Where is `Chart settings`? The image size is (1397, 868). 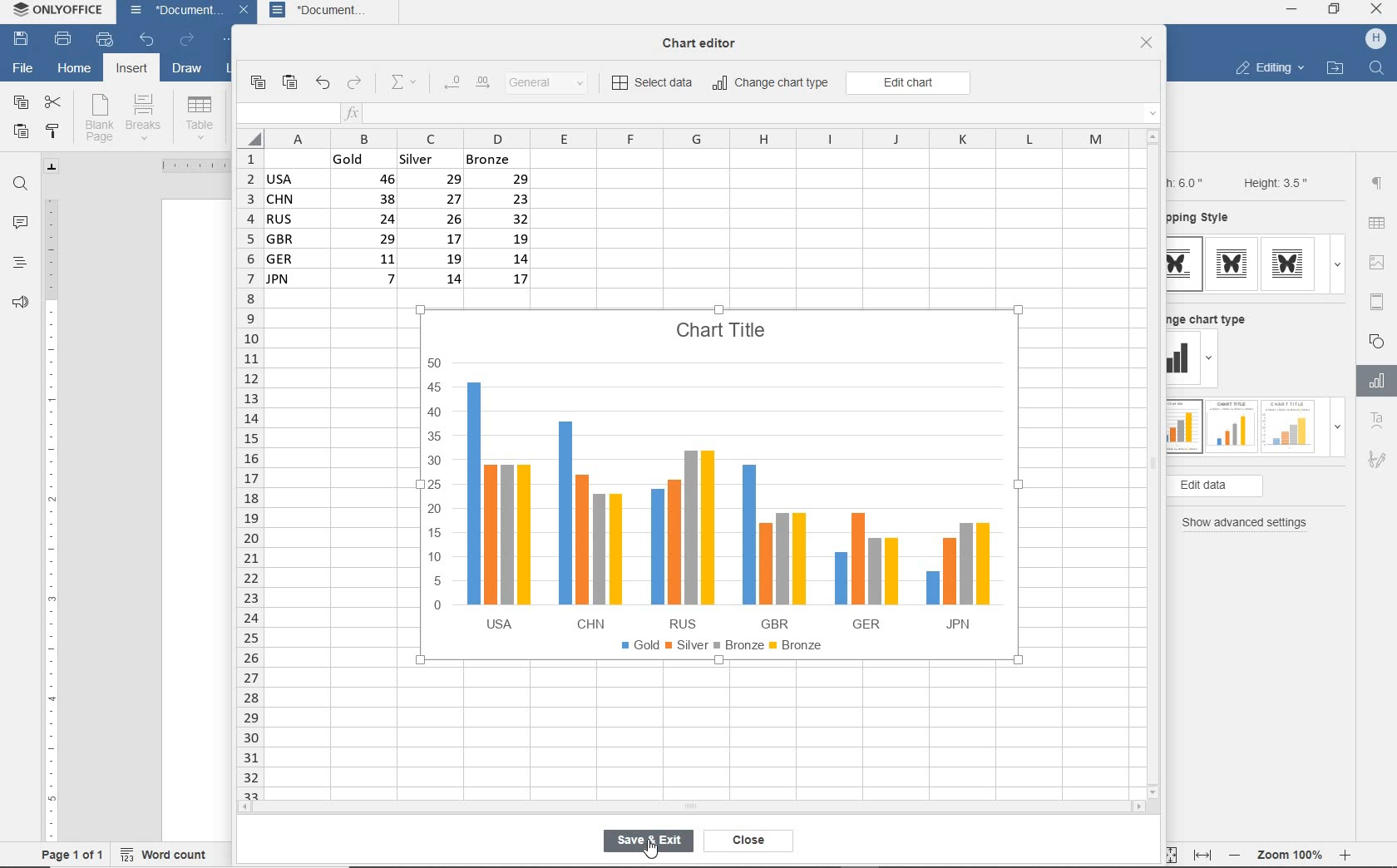 Chart settings is located at coordinates (1374, 381).